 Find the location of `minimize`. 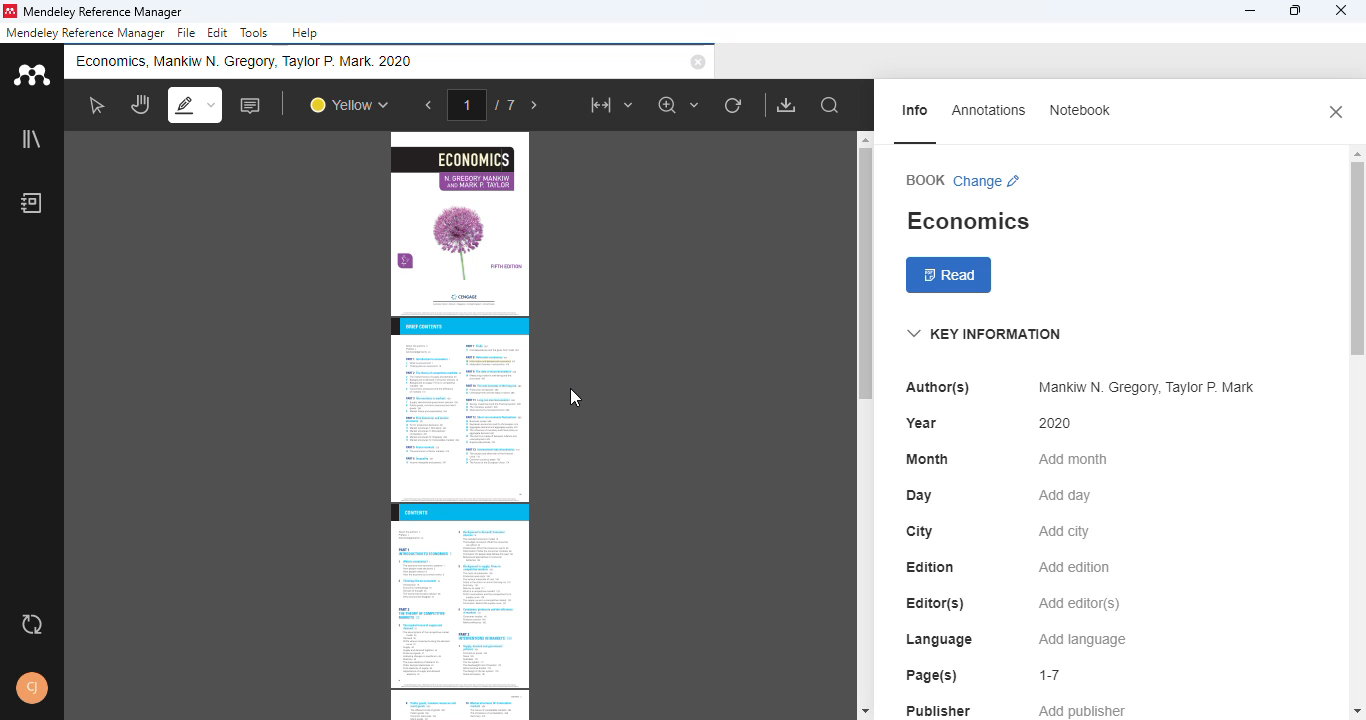

minimize is located at coordinates (1249, 11).